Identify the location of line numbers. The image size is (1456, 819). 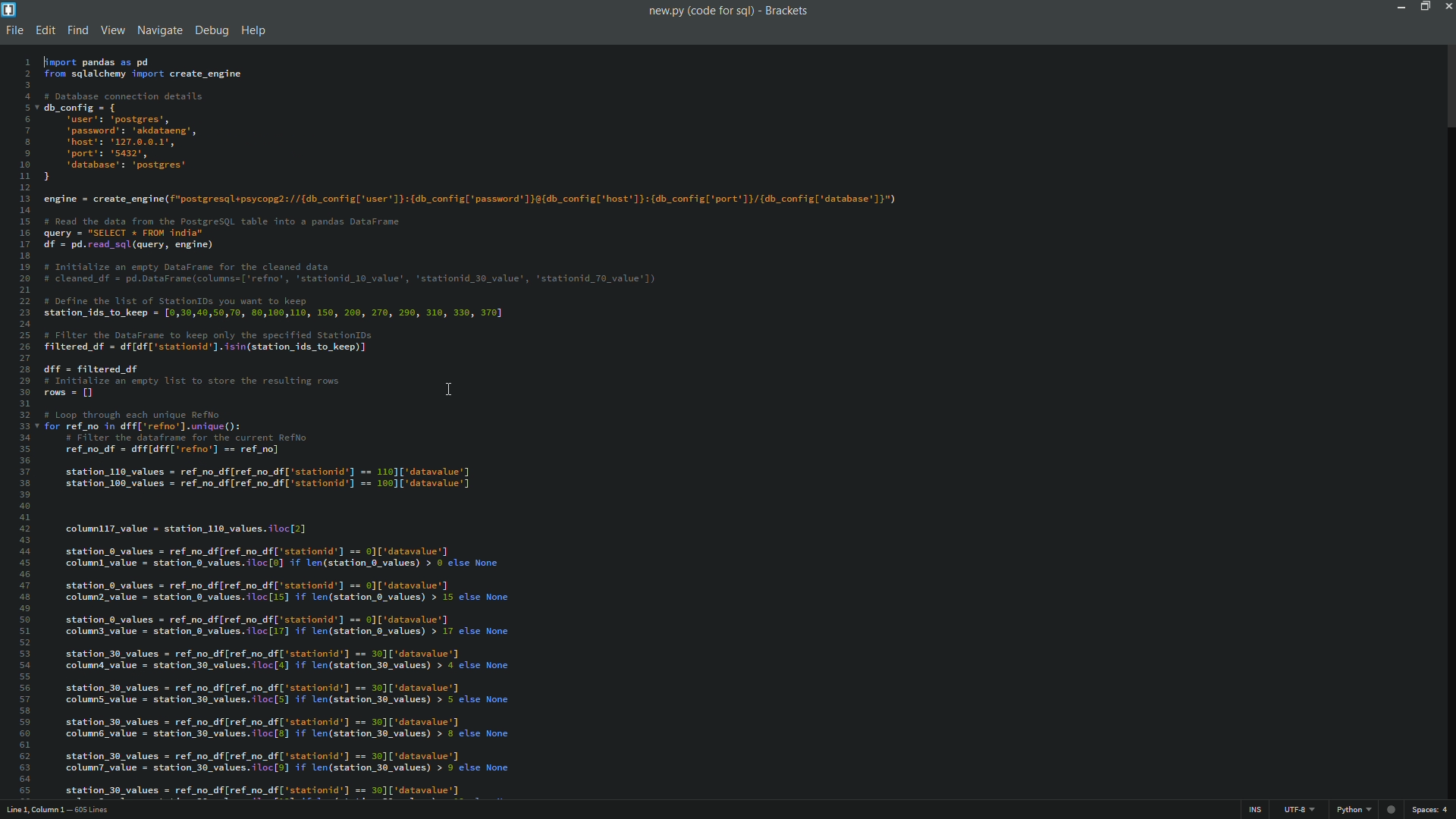
(20, 424).